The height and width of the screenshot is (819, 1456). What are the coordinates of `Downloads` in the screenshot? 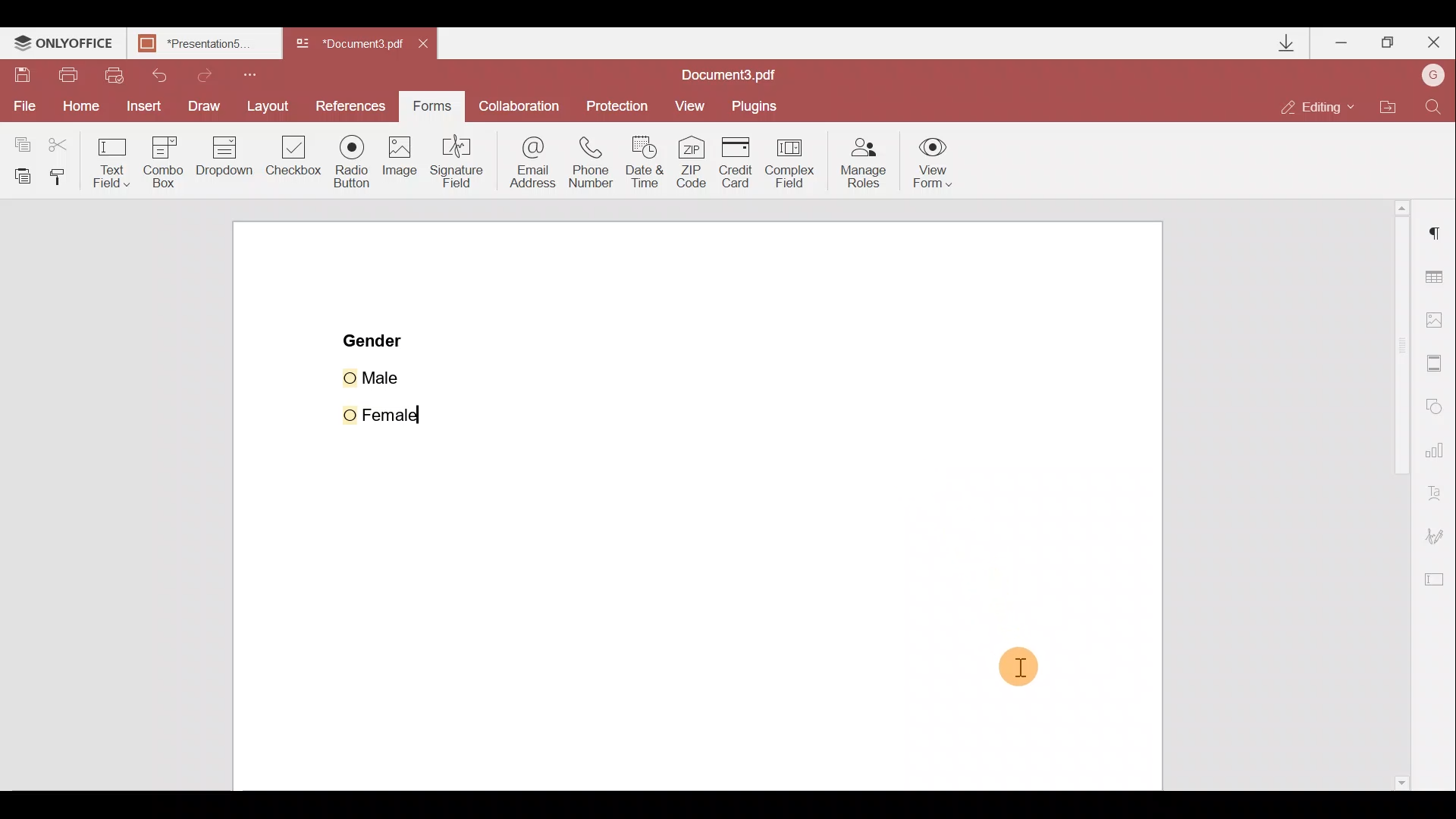 It's located at (1278, 41).